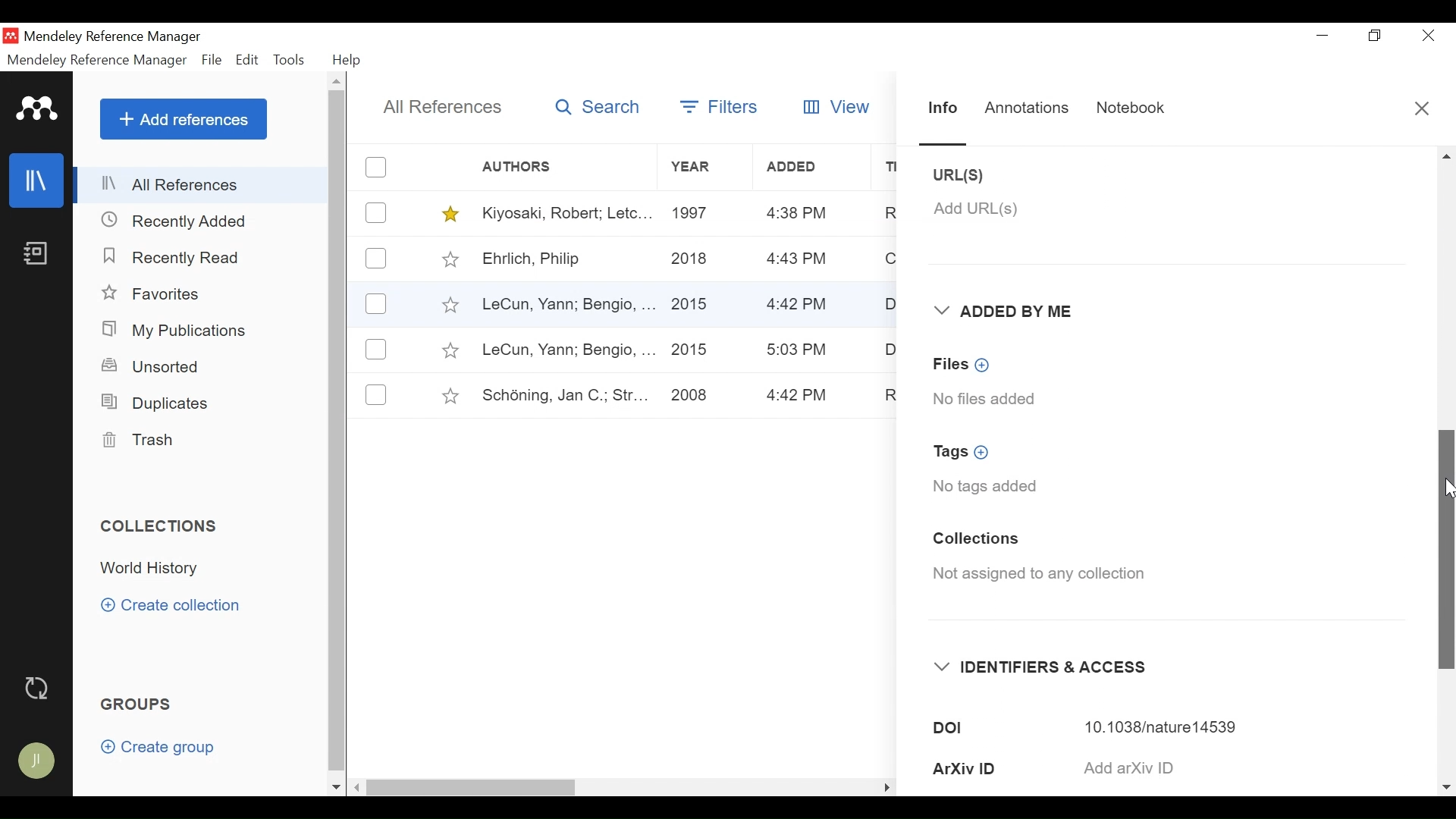  Describe the element at coordinates (568, 212) in the screenshot. I see `Kiyosaki, Robert; Letc..` at that location.